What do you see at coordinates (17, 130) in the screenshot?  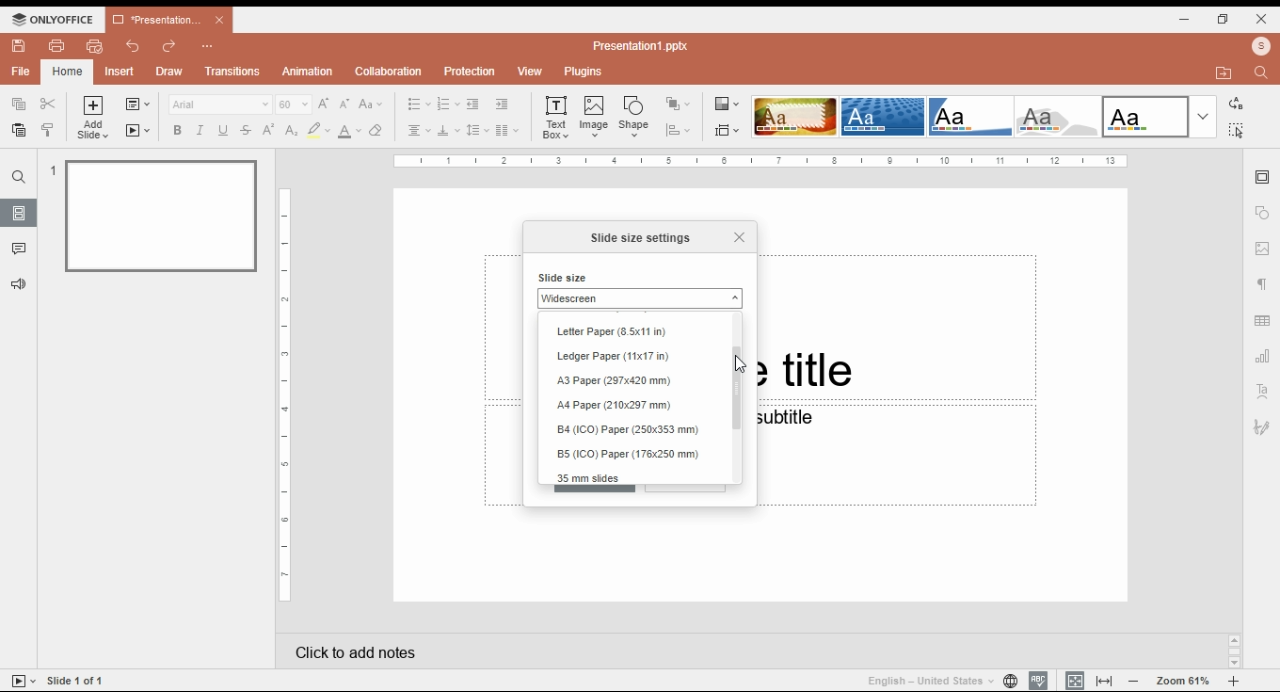 I see `paste` at bounding box center [17, 130].